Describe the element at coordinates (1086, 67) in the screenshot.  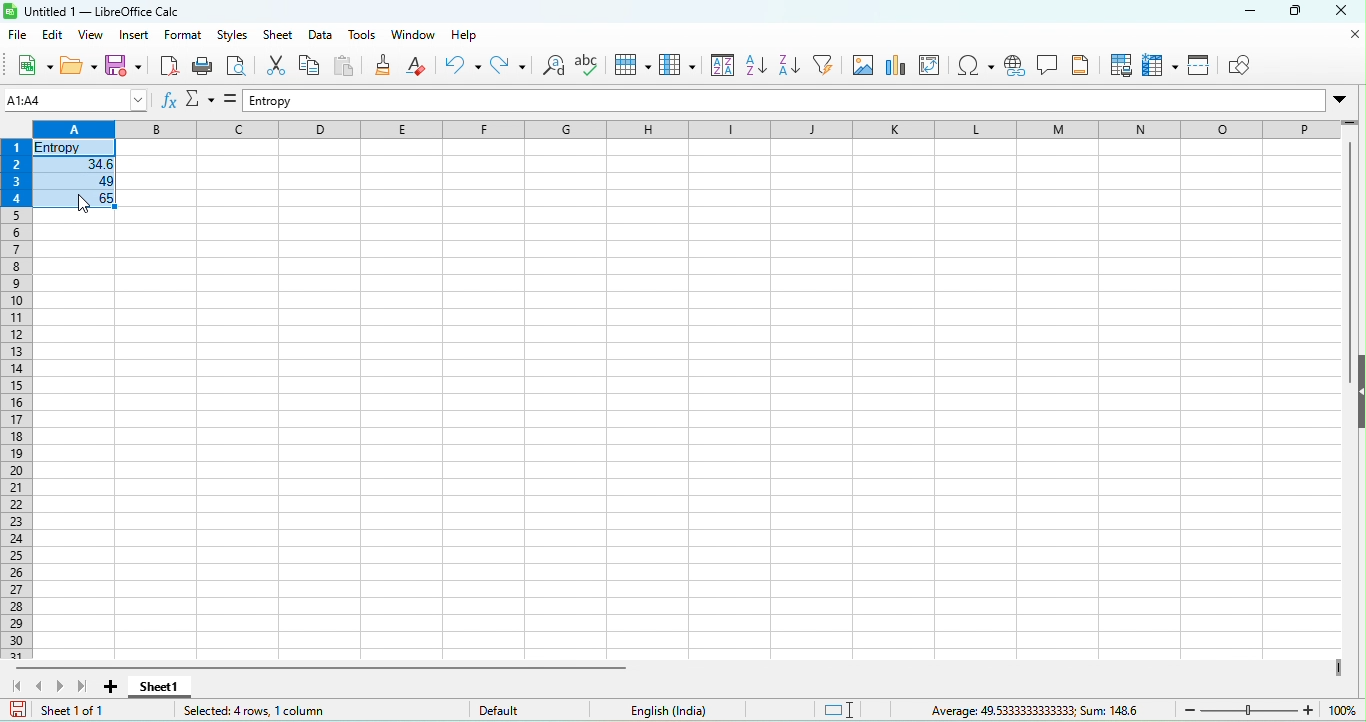
I see `headers and footers` at that location.